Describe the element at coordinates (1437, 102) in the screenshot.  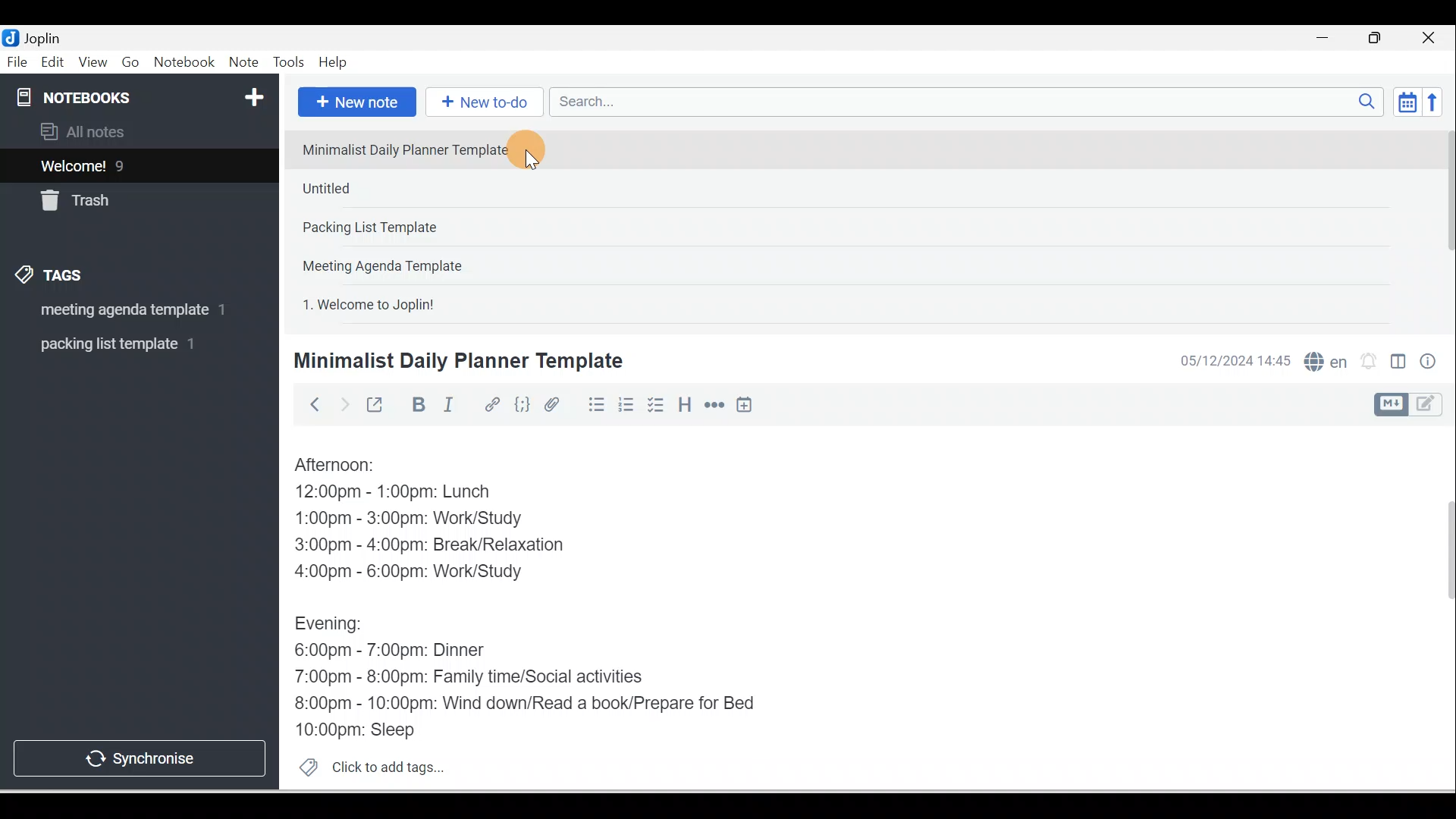
I see `Reverse sort` at that location.